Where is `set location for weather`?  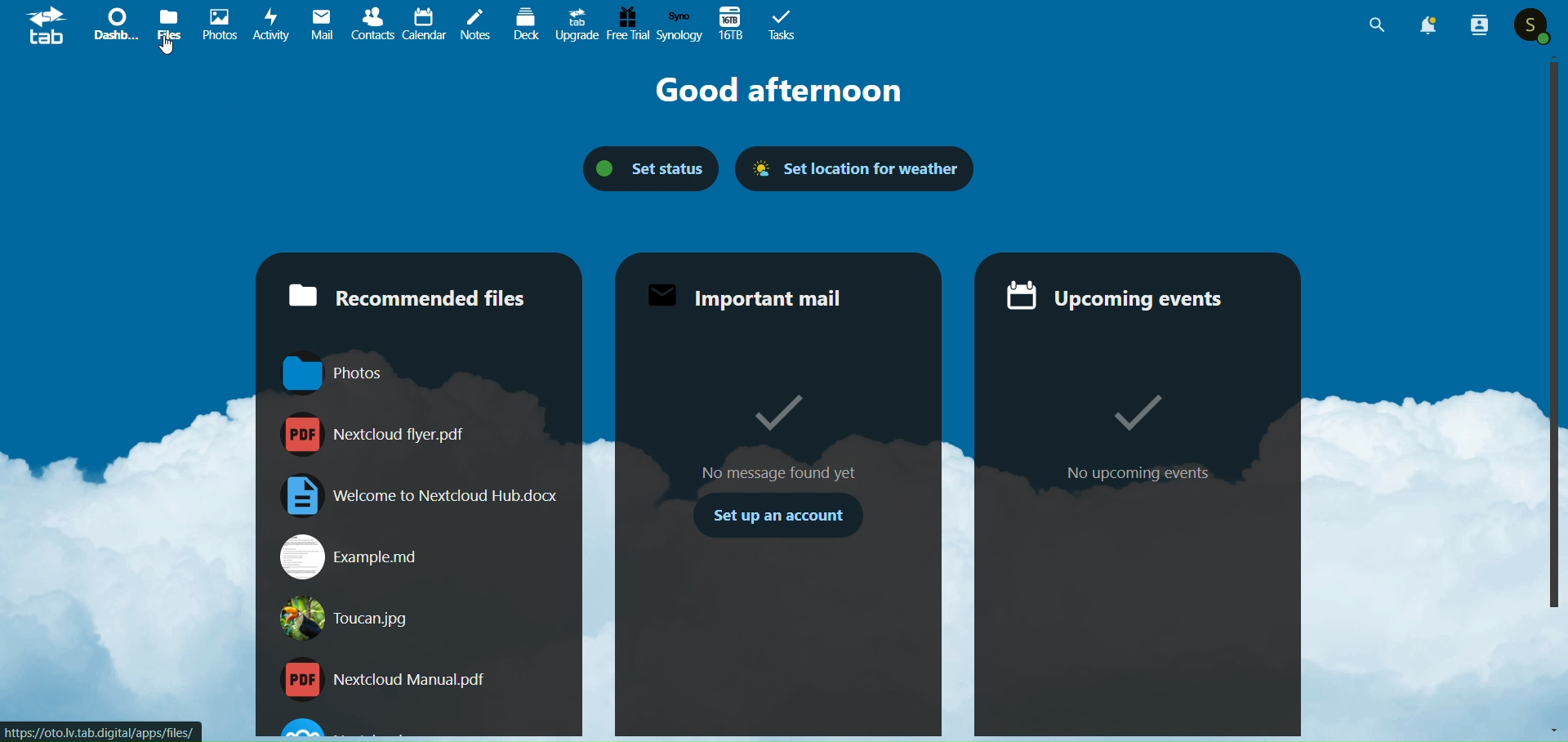
set location for weather is located at coordinates (862, 168).